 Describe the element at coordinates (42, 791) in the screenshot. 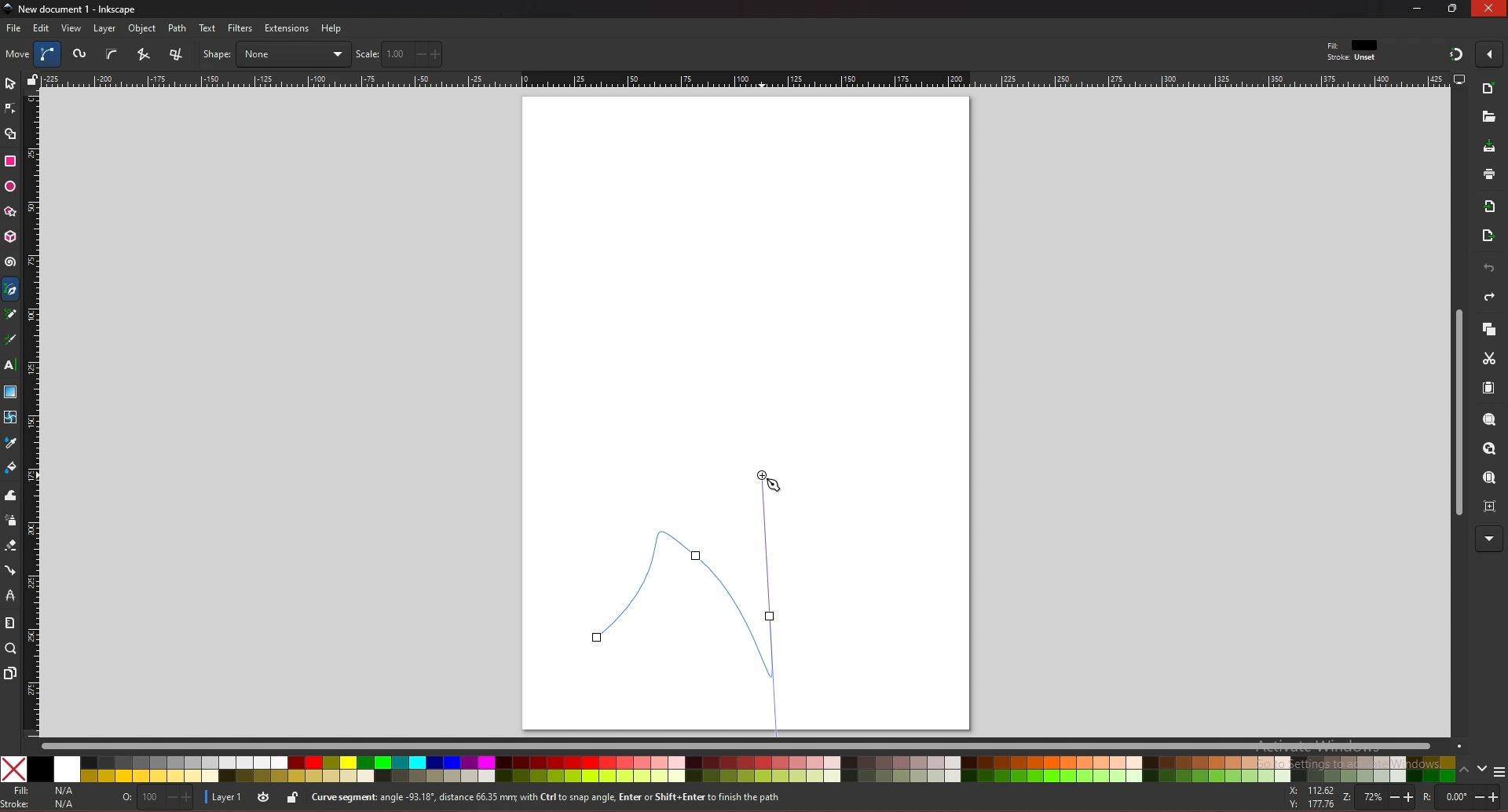

I see `fill` at that location.